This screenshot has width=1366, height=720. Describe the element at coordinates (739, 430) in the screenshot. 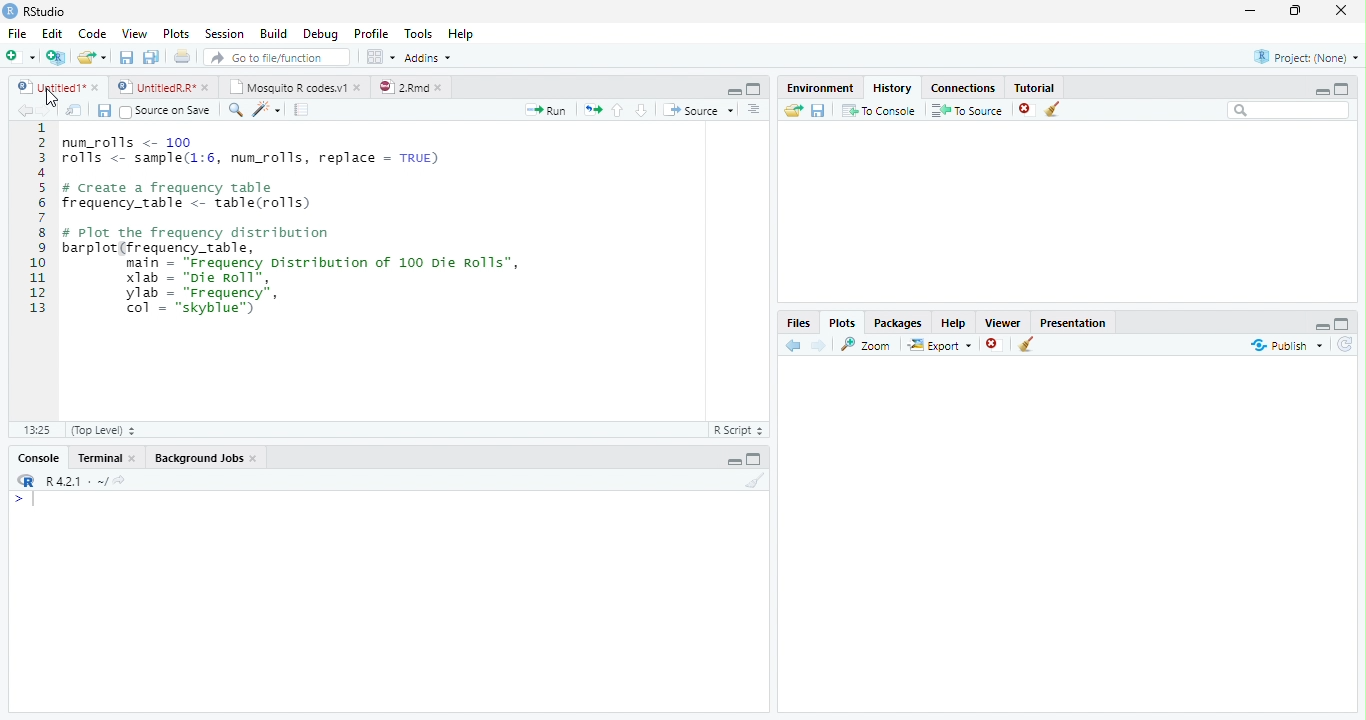

I see `R Script` at that location.